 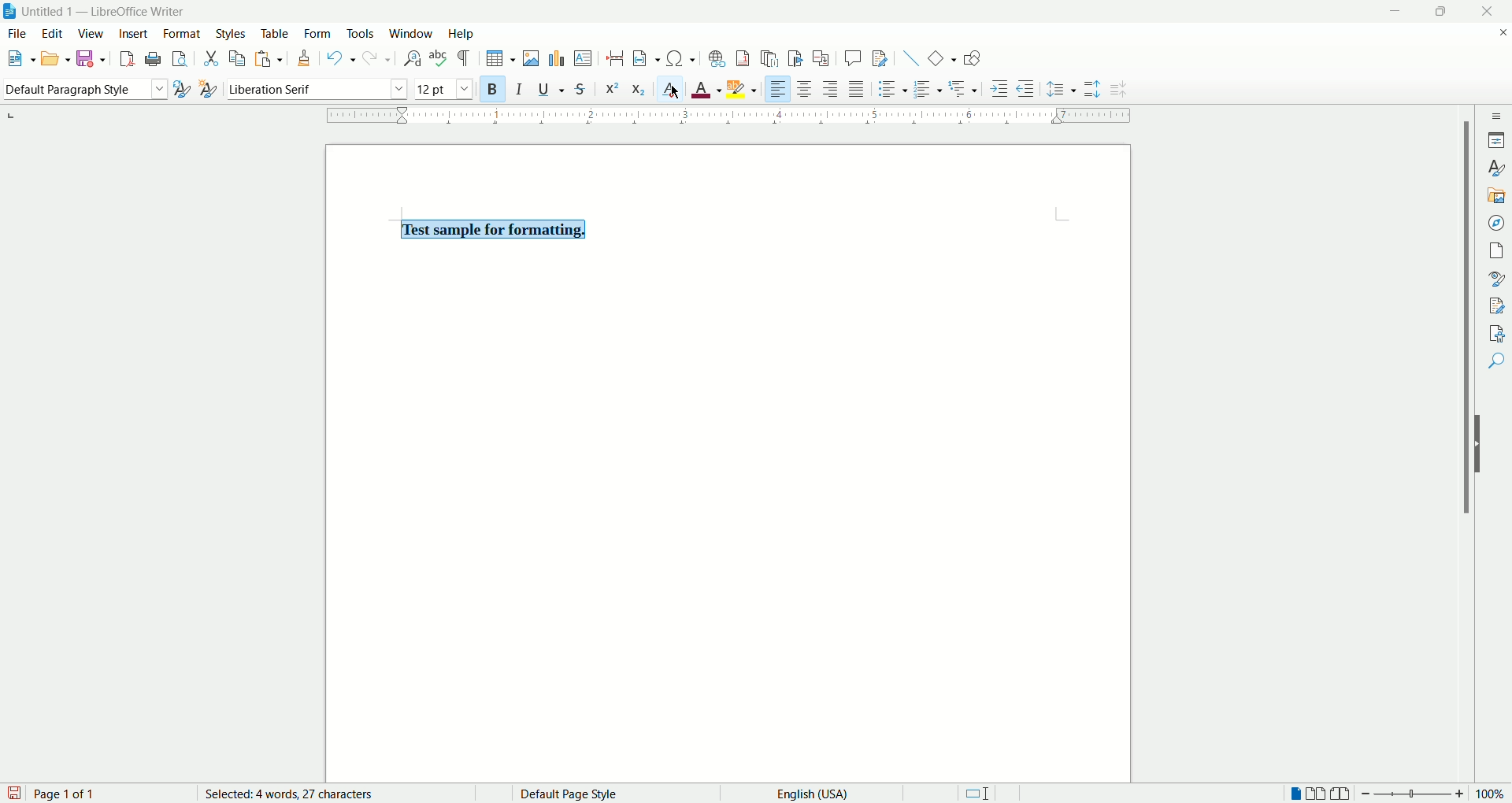 I want to click on increase line spacing, so click(x=1090, y=87).